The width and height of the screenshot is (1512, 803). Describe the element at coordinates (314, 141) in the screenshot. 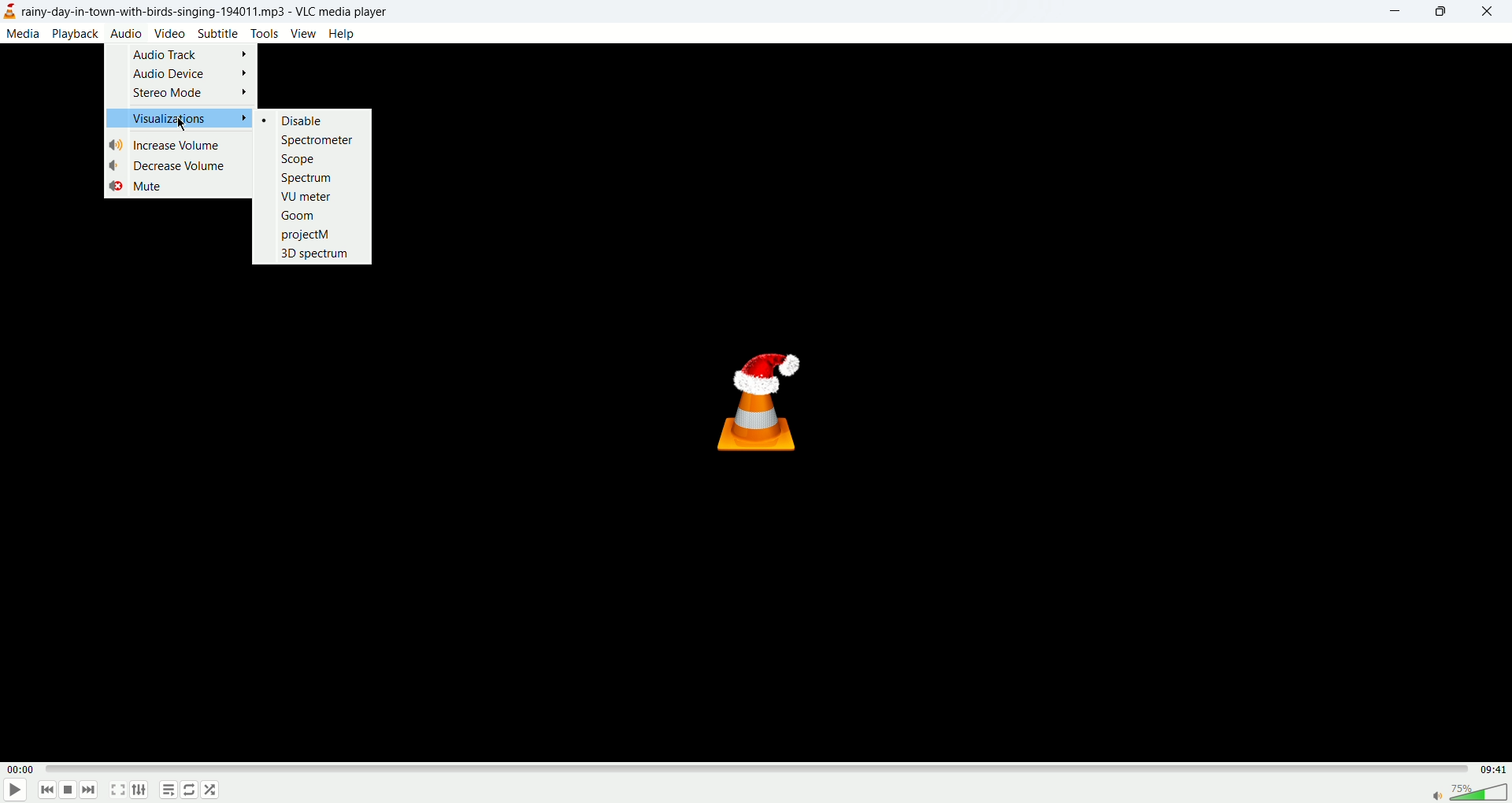

I see `Spectrometer` at that location.